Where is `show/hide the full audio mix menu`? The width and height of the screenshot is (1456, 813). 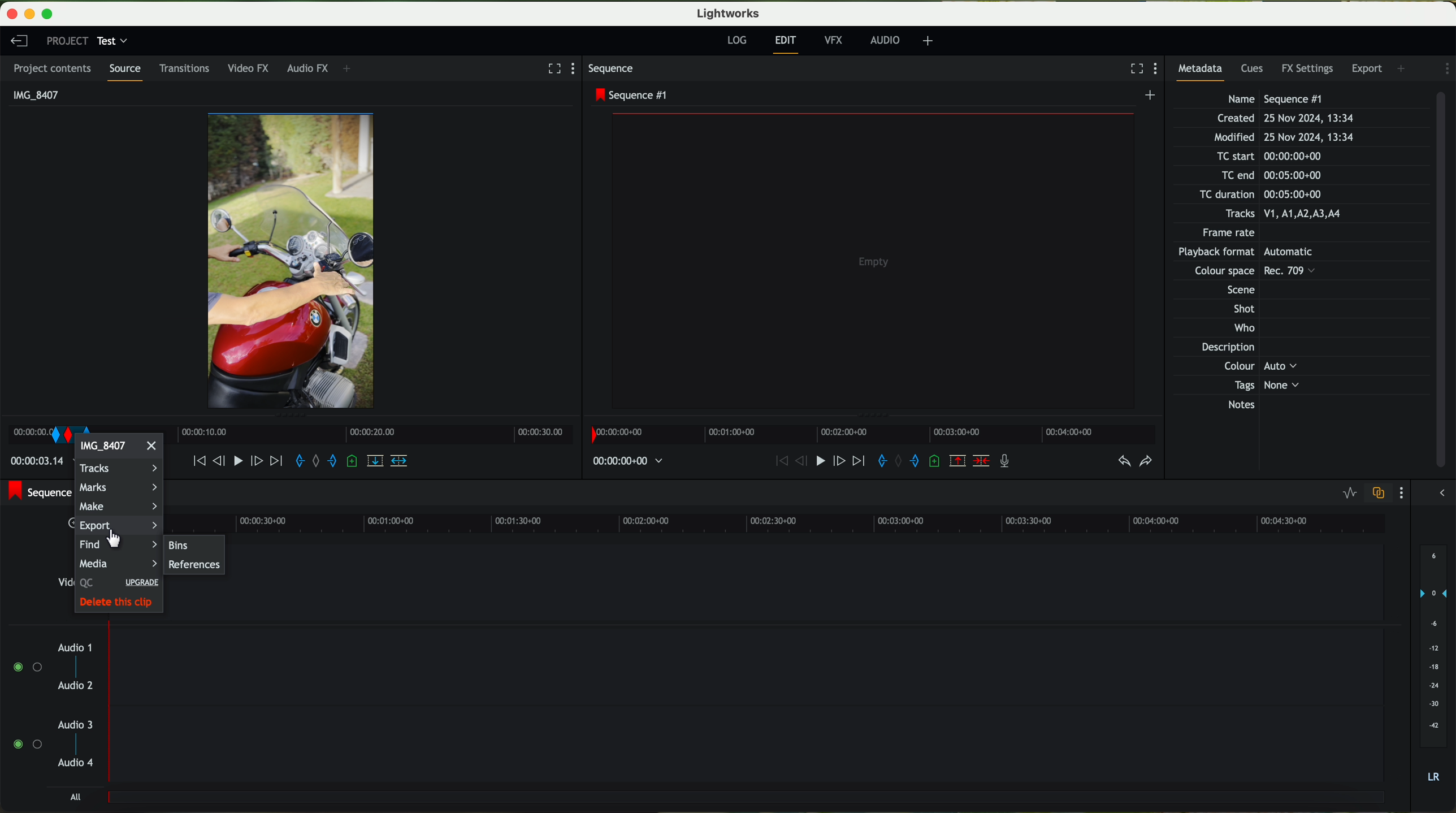 show/hide the full audio mix menu is located at coordinates (1442, 491).